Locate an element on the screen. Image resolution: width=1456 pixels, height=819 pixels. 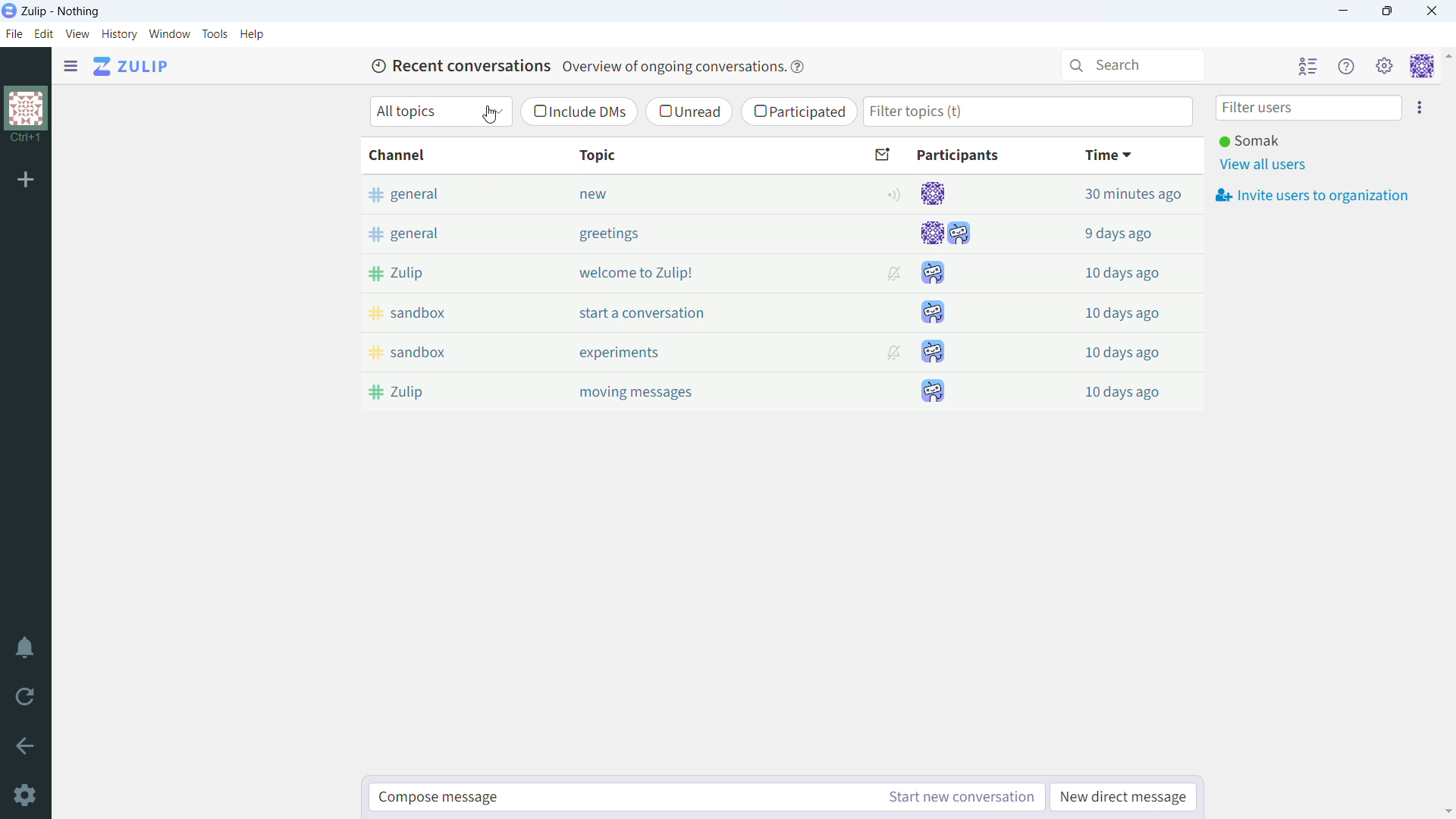
participants is located at coordinates (975, 158).